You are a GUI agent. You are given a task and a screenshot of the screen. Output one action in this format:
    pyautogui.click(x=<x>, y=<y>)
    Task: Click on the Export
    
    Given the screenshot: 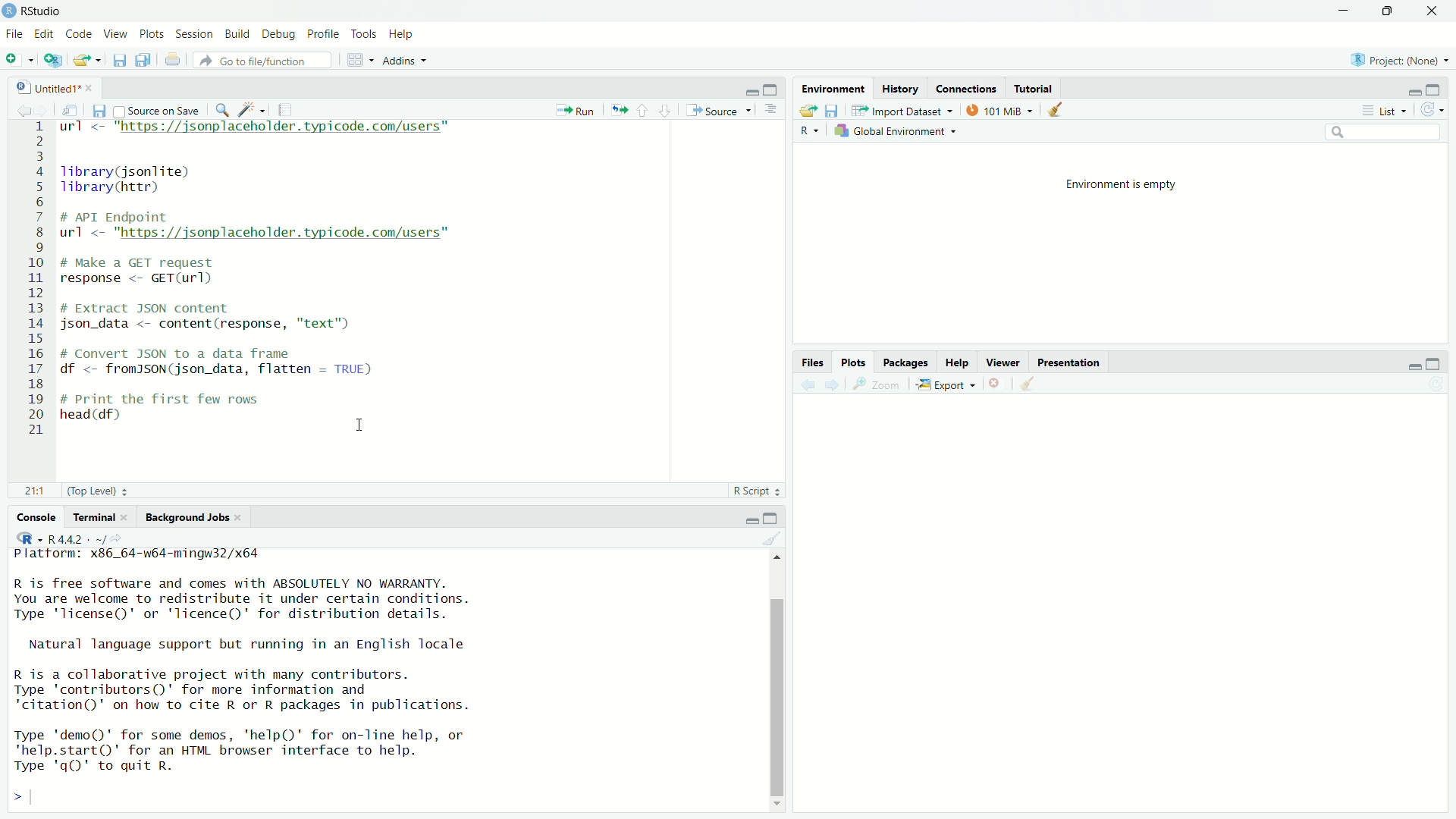 What is the action you would take?
    pyautogui.click(x=944, y=385)
    